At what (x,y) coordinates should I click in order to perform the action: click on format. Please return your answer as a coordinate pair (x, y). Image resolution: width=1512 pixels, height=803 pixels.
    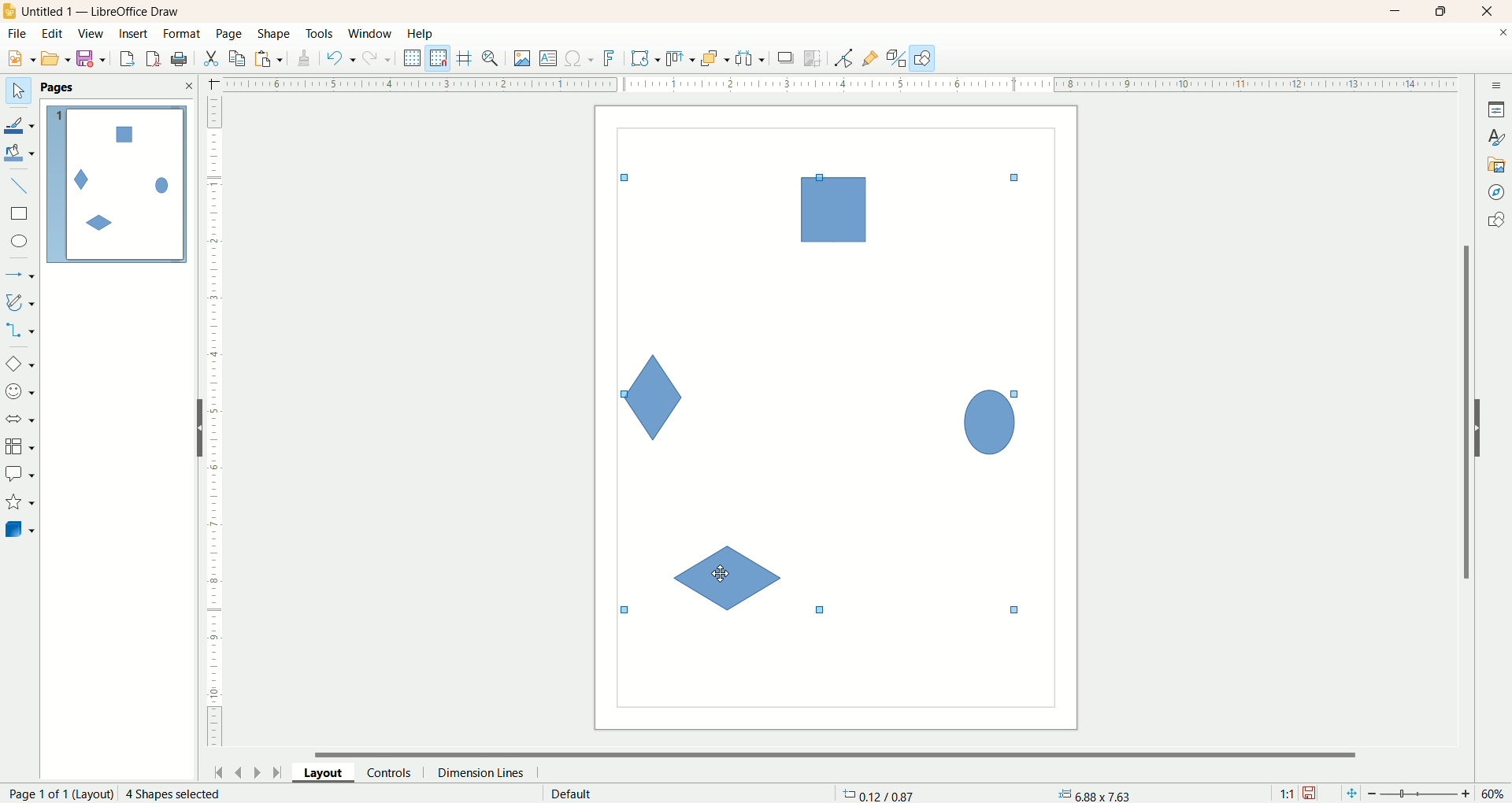
    Looking at the image, I should click on (183, 35).